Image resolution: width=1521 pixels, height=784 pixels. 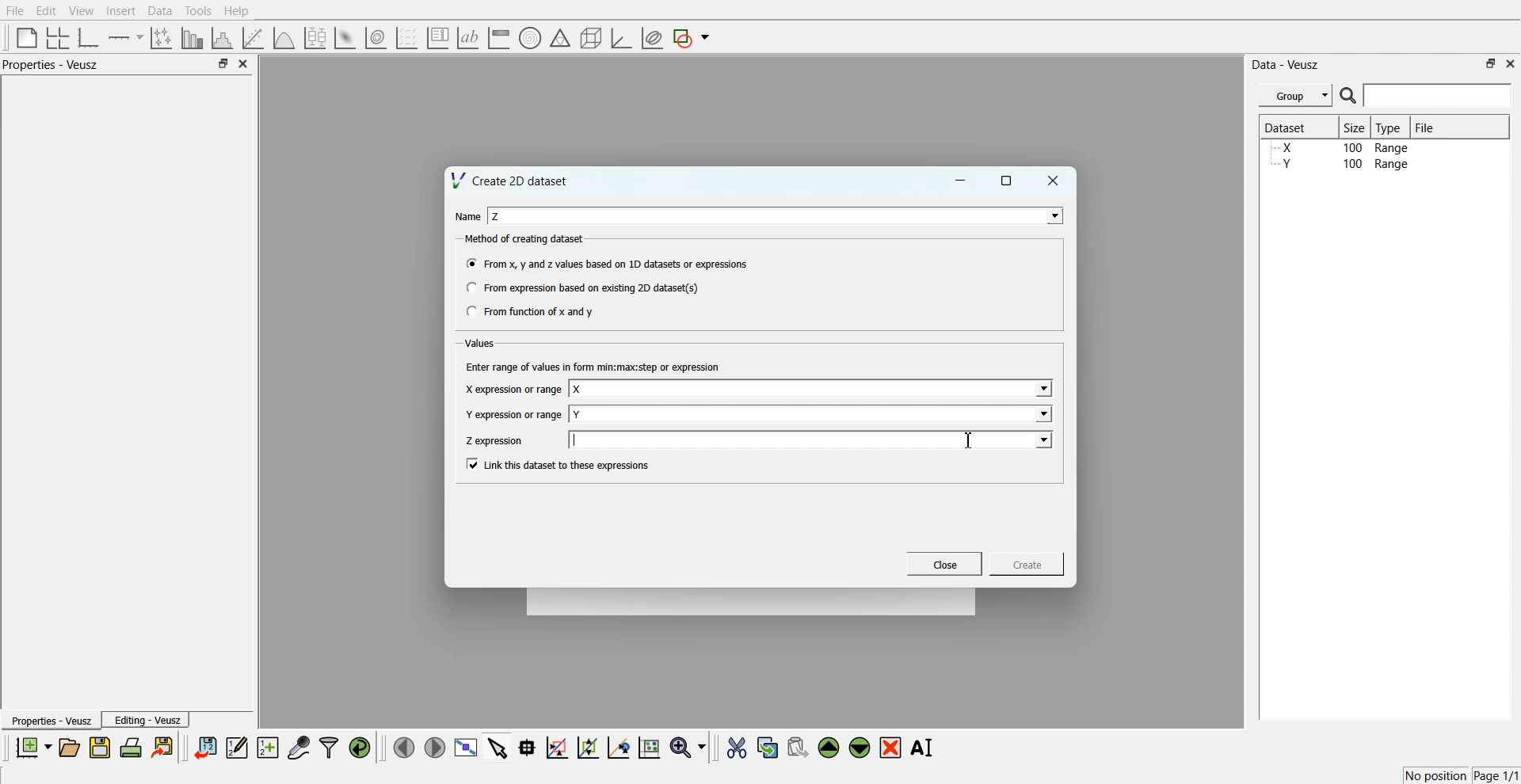 What do you see at coordinates (578, 390) in the screenshot?
I see `X` at bounding box center [578, 390].